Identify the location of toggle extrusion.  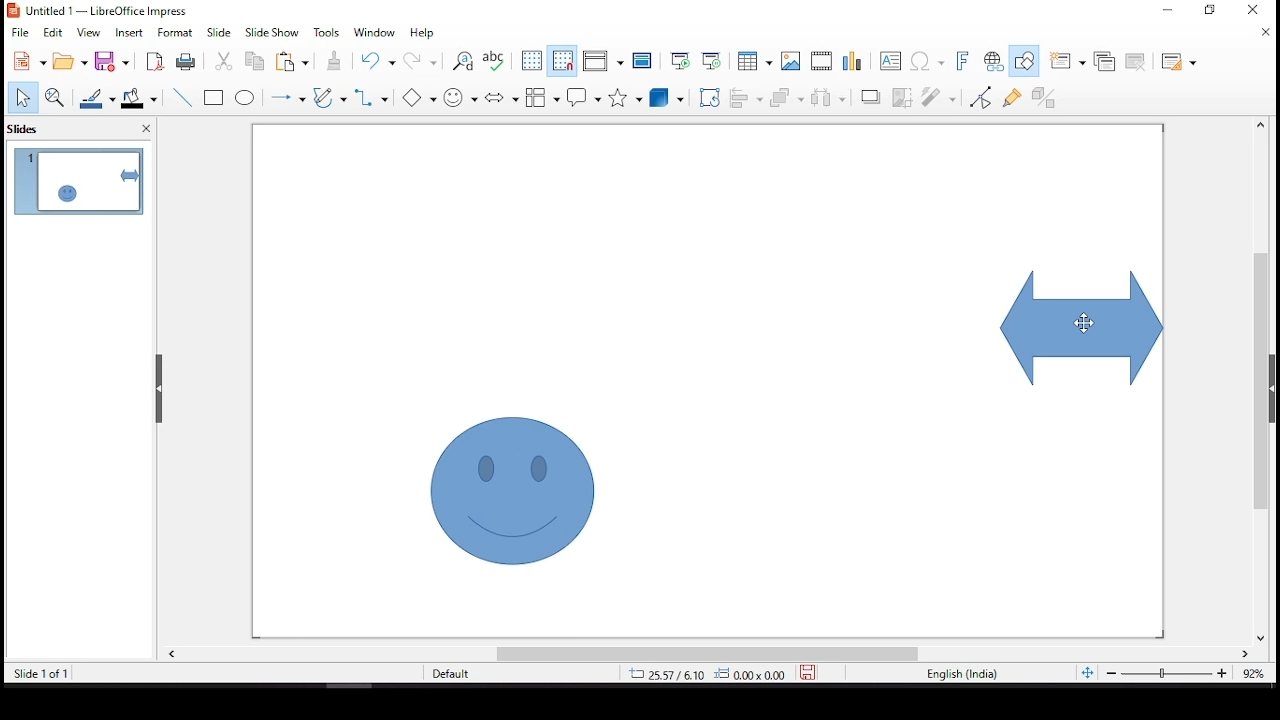
(1043, 99).